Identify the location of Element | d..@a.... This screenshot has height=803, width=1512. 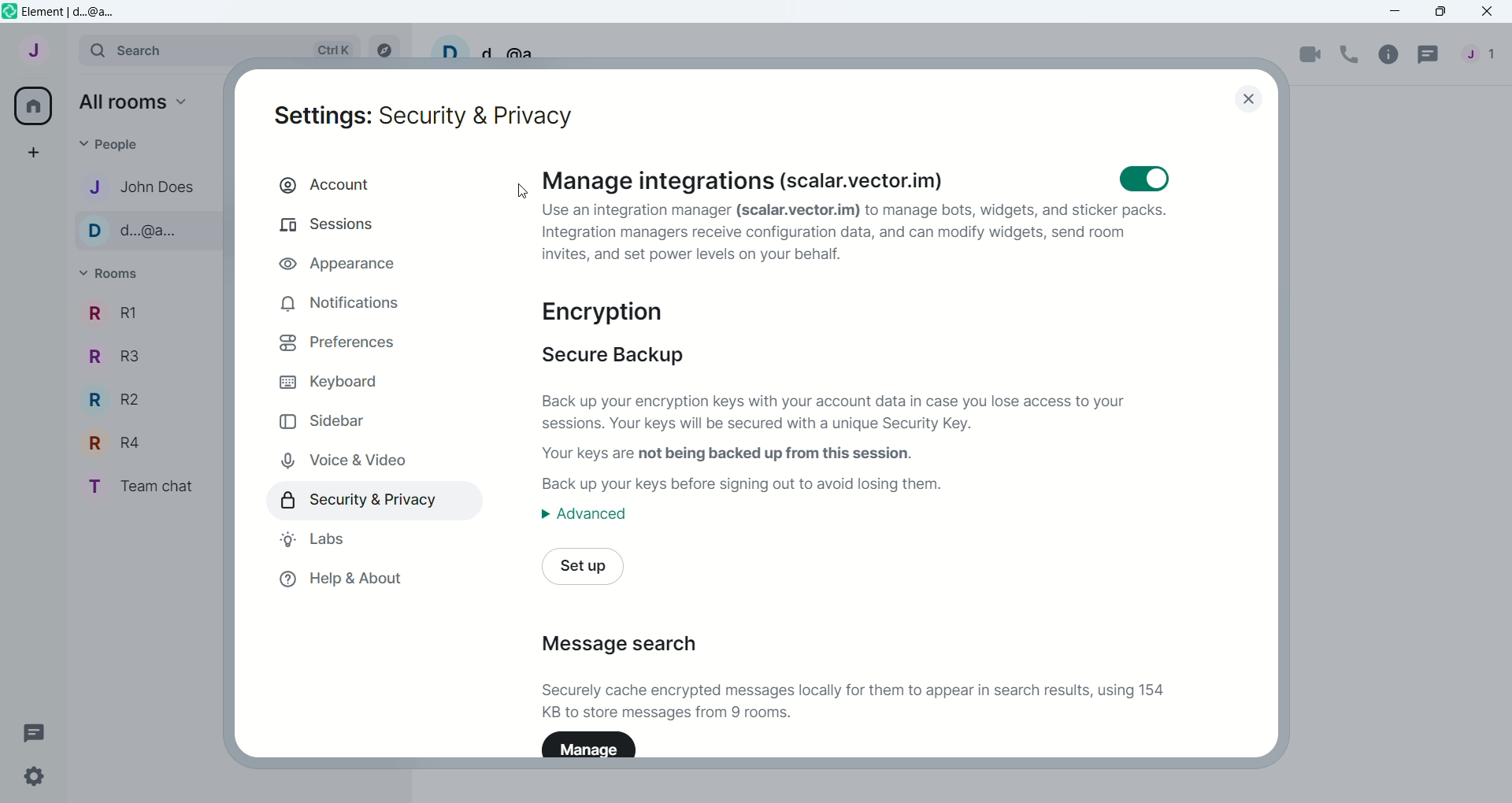
(73, 13).